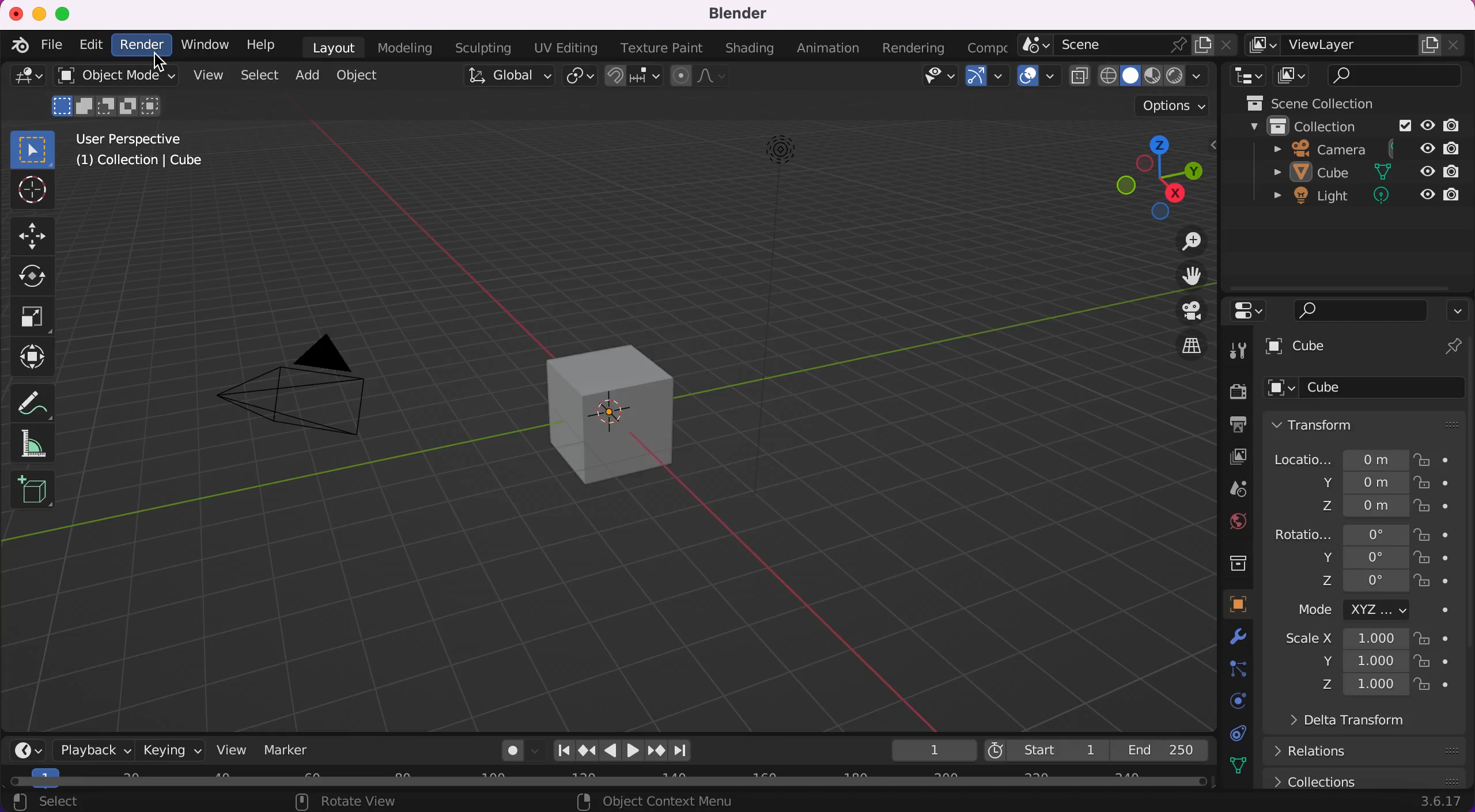 This screenshot has height=812, width=1475. Describe the element at coordinates (502, 751) in the screenshot. I see `autokeying` at that location.